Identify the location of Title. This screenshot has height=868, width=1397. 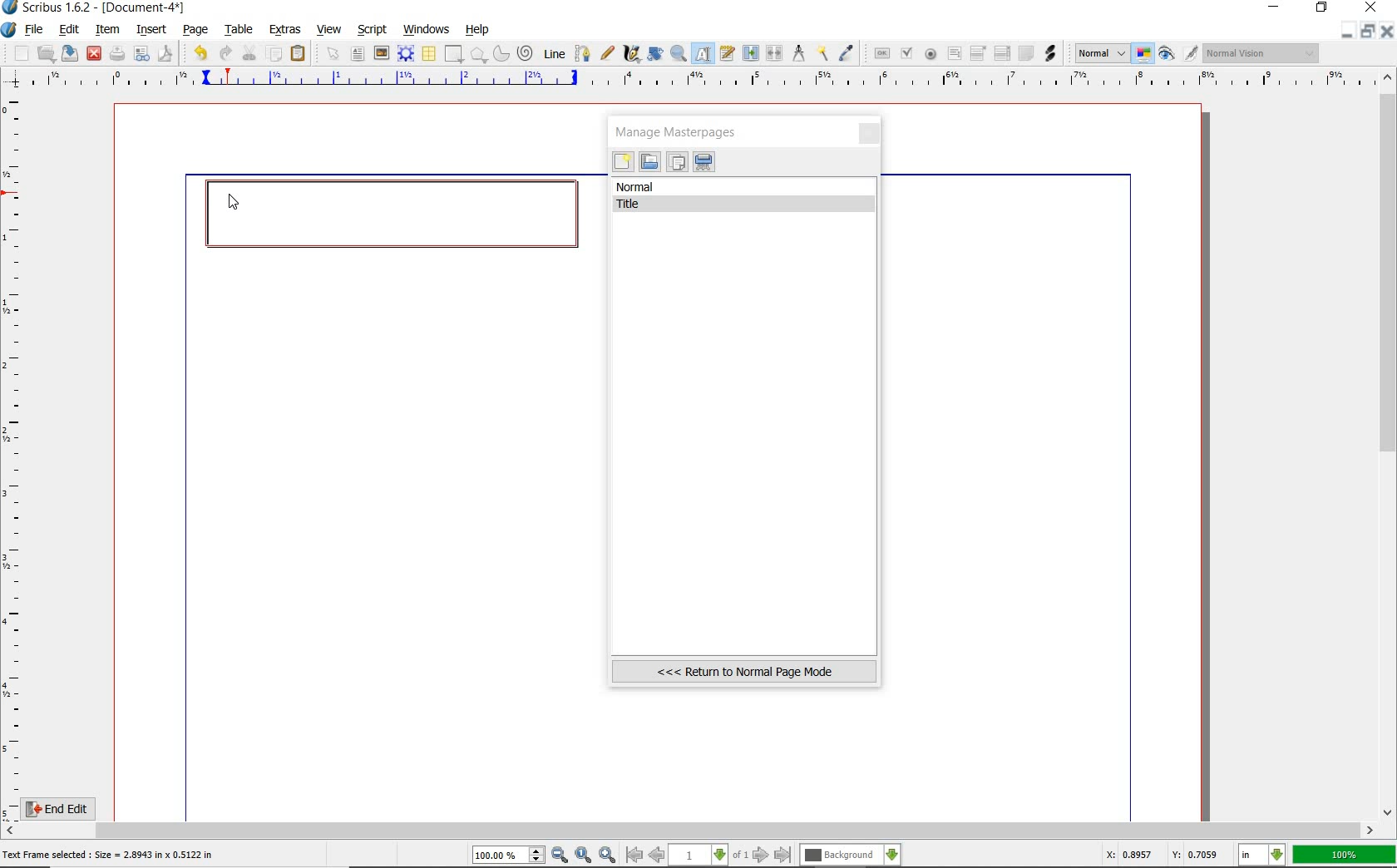
(747, 205).